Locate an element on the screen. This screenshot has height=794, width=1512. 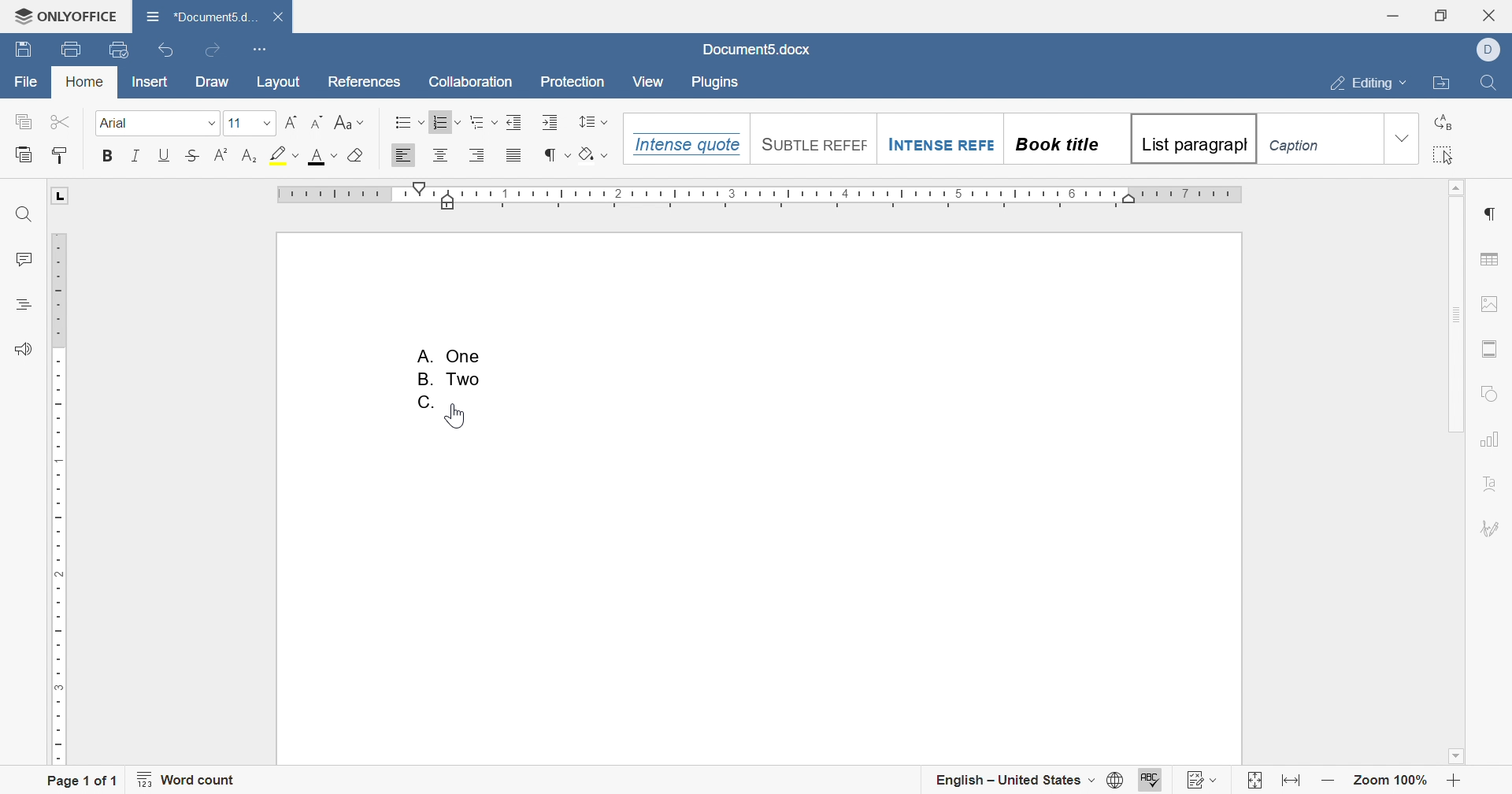
Align Right is located at coordinates (477, 154).